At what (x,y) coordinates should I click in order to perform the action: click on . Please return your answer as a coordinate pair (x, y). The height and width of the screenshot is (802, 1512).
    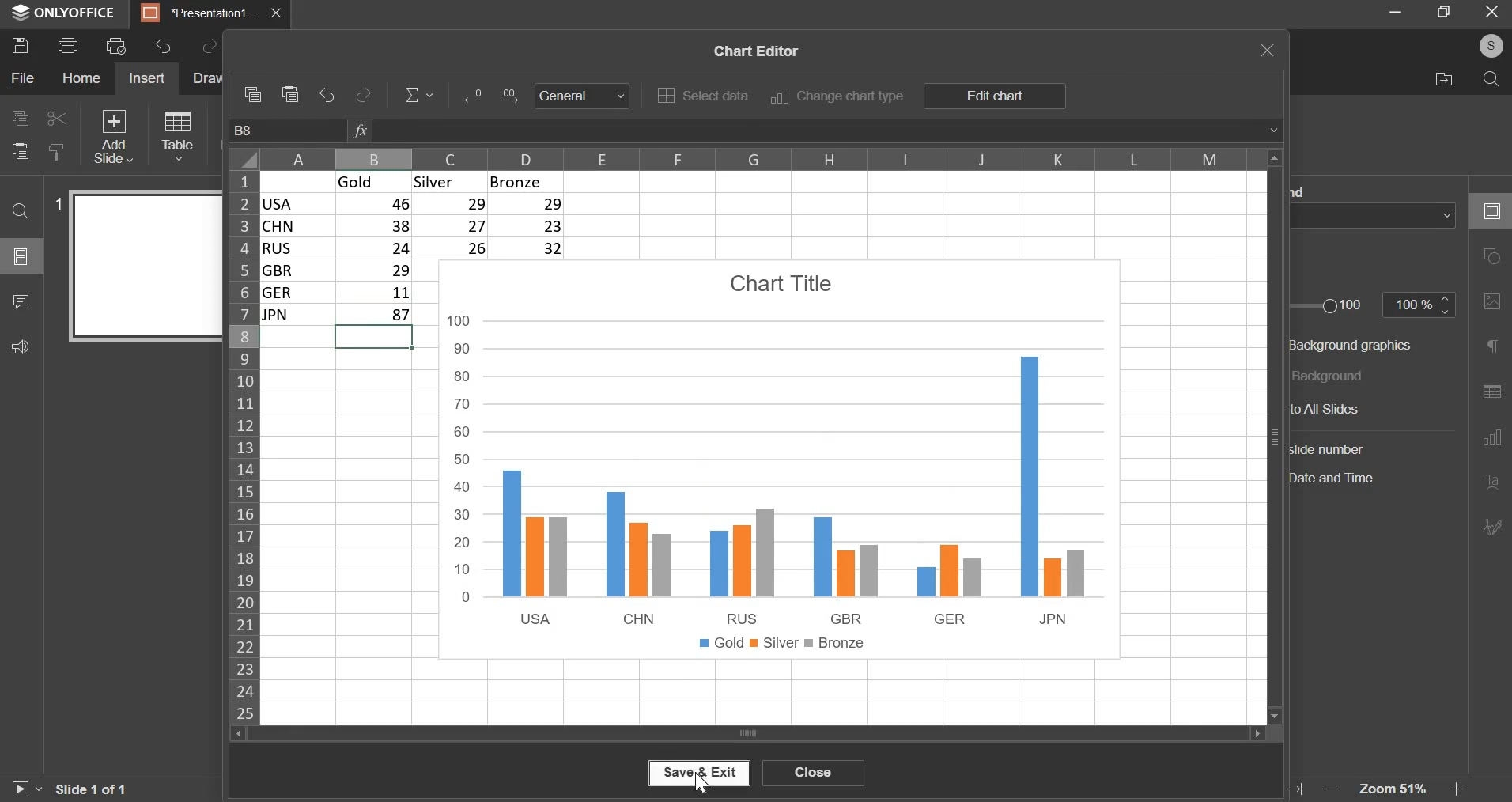
    Looking at the image, I should click on (472, 98).